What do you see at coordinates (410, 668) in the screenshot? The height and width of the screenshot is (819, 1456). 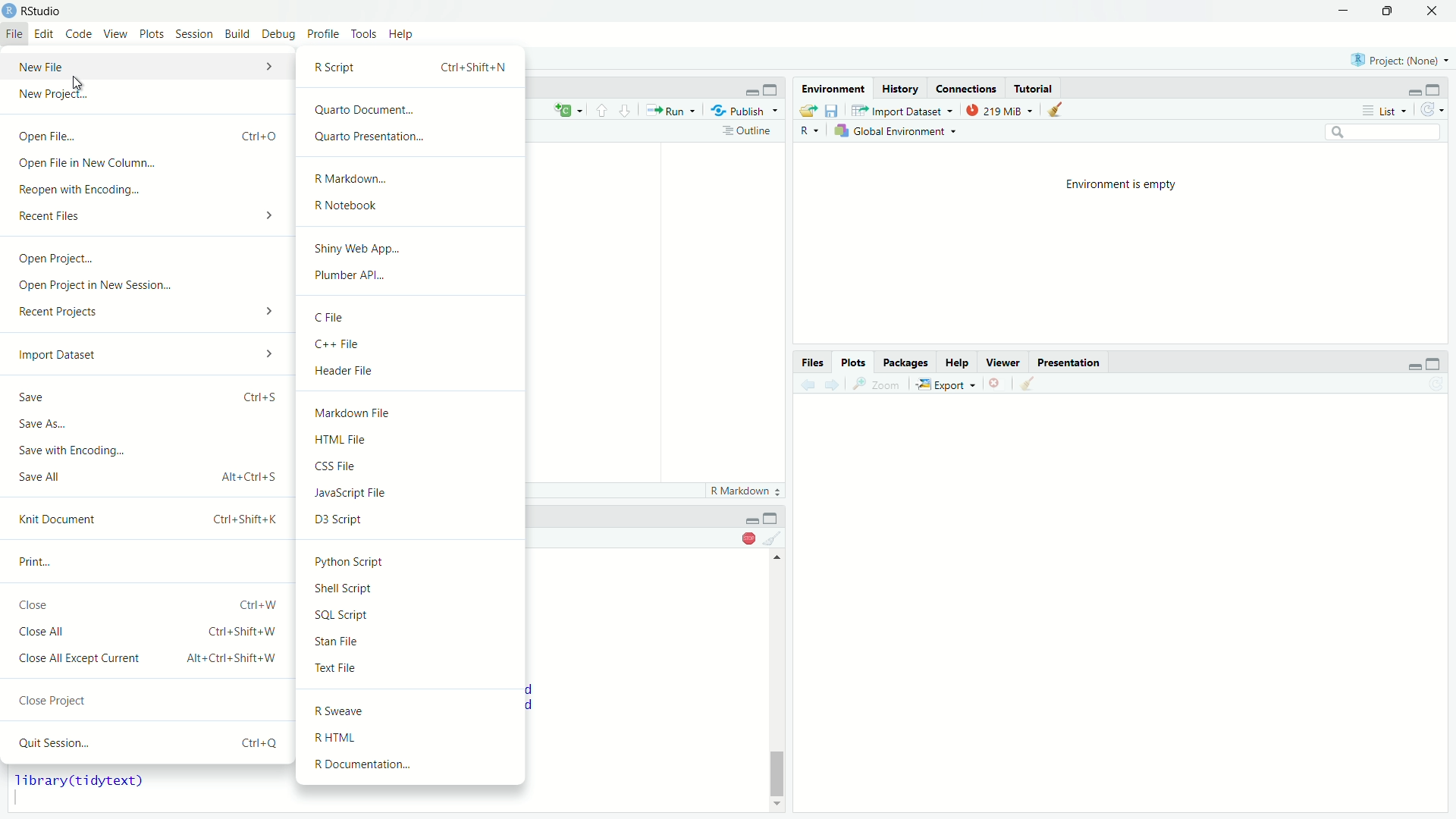 I see `Text File` at bounding box center [410, 668].